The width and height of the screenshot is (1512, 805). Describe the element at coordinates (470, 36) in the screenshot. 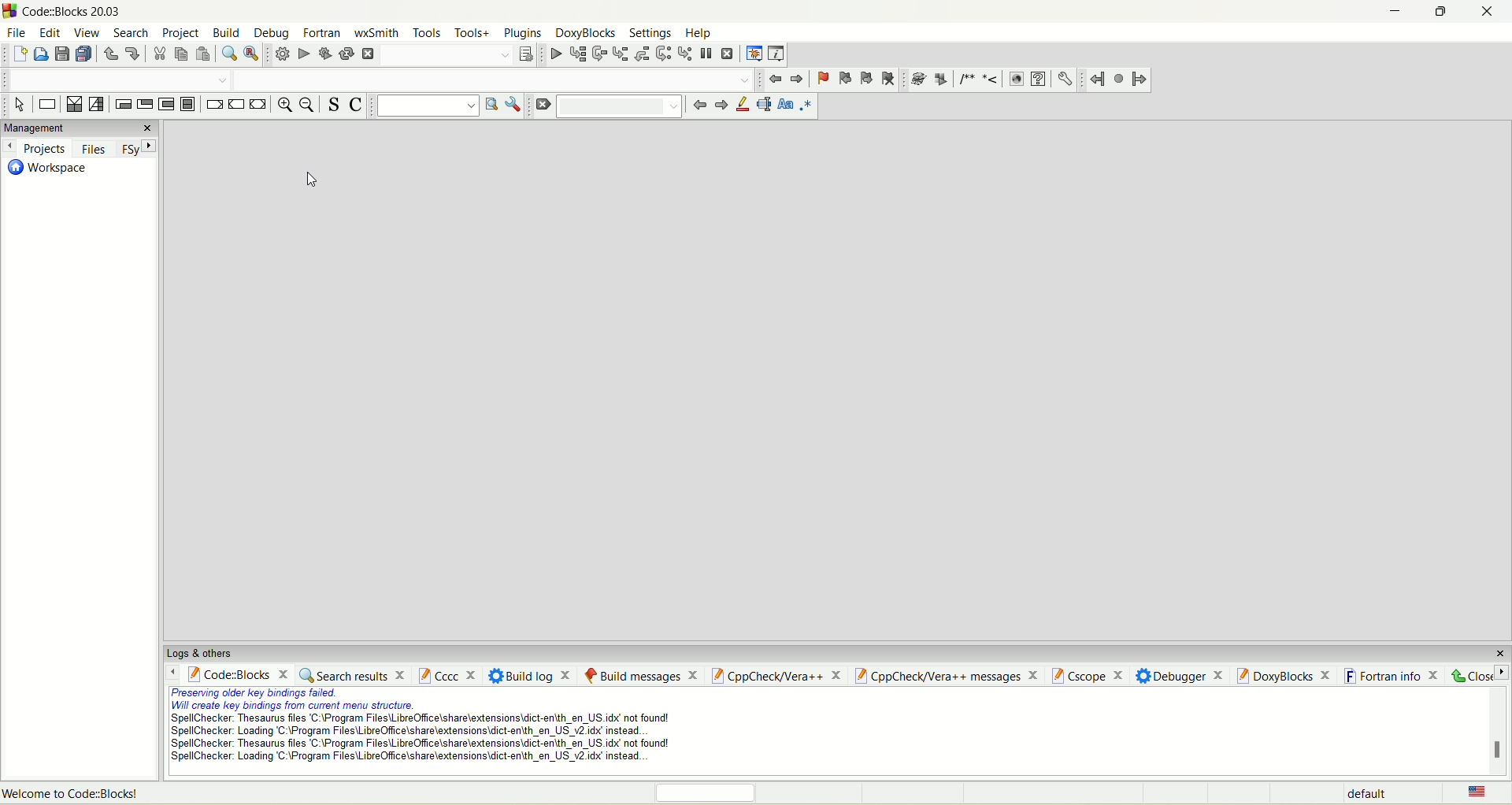

I see `tools+` at that location.